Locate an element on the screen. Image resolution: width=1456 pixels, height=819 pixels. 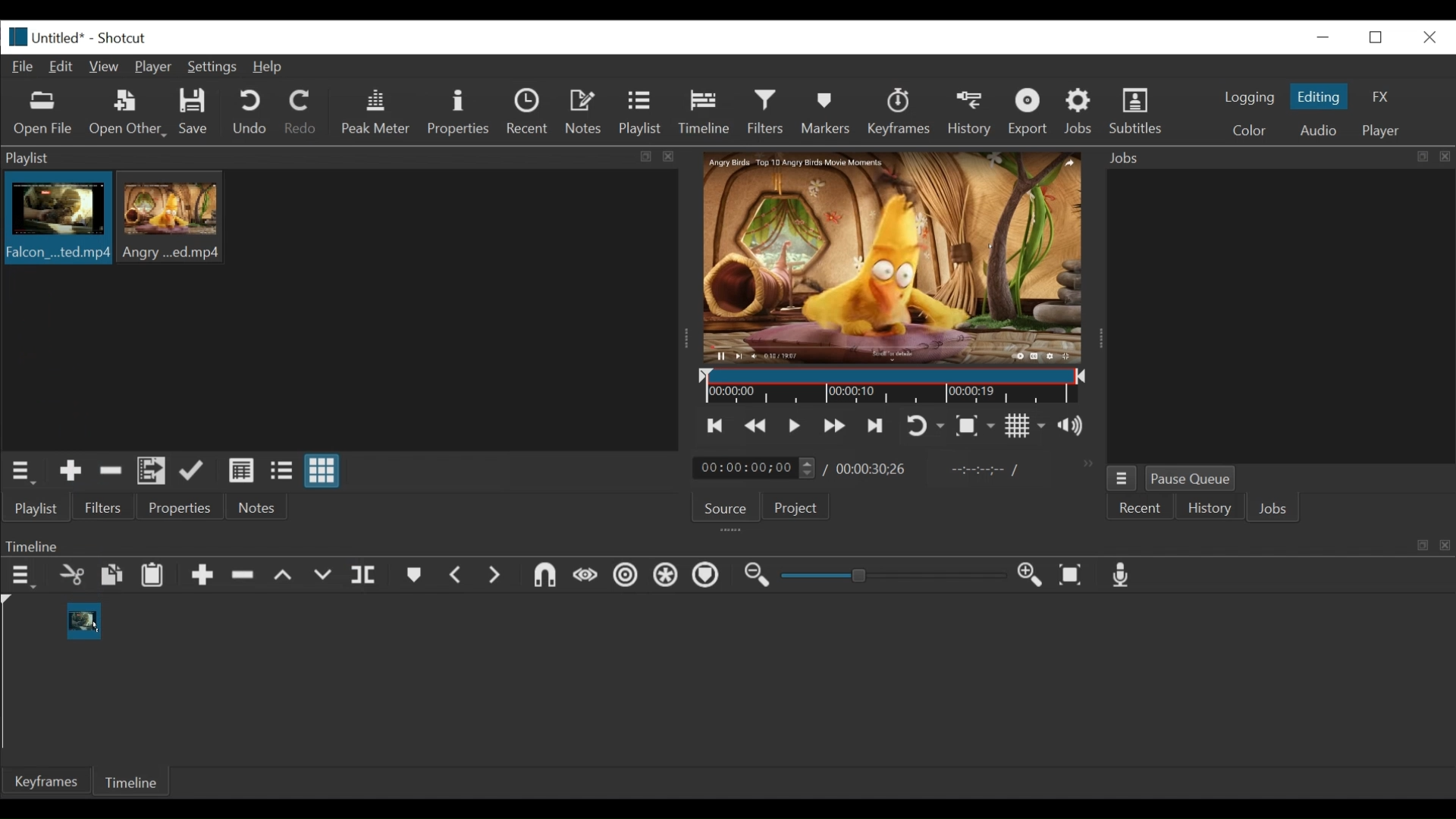
playlist is located at coordinates (35, 508).